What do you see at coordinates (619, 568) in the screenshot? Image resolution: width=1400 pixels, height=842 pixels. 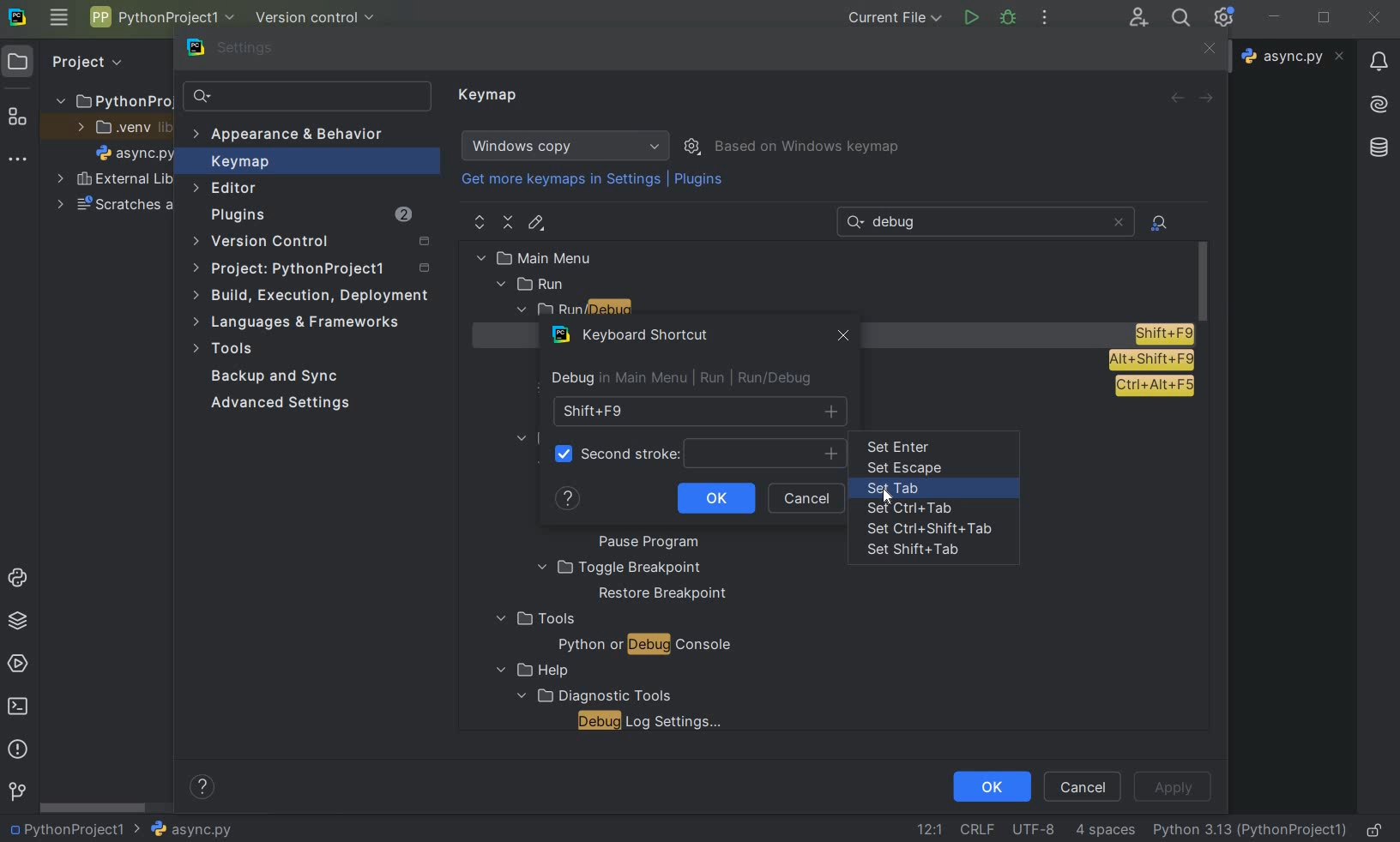 I see `toggle breakpoint` at bounding box center [619, 568].